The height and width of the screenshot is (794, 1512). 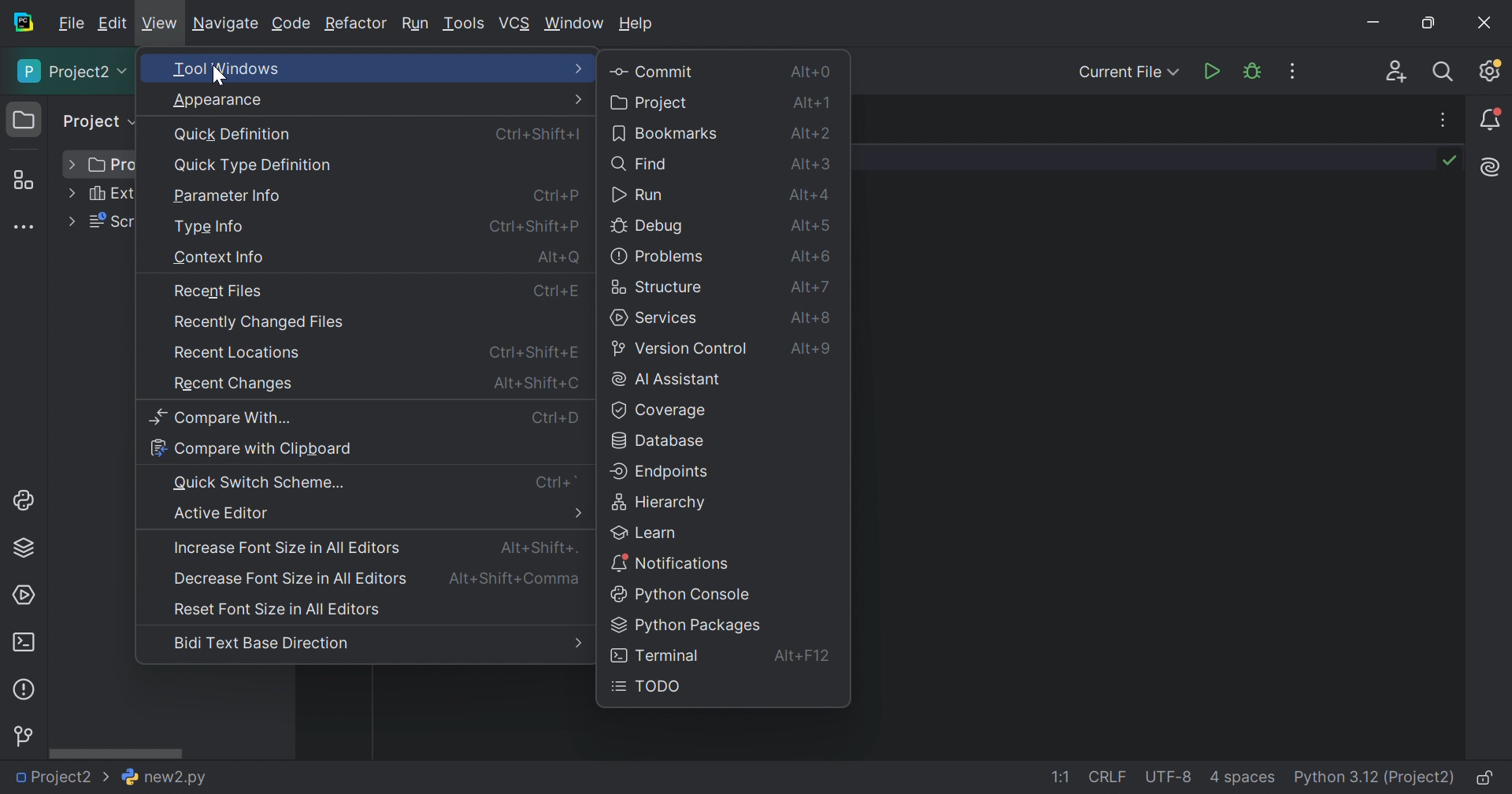 What do you see at coordinates (26, 733) in the screenshot?
I see `Version Control` at bounding box center [26, 733].